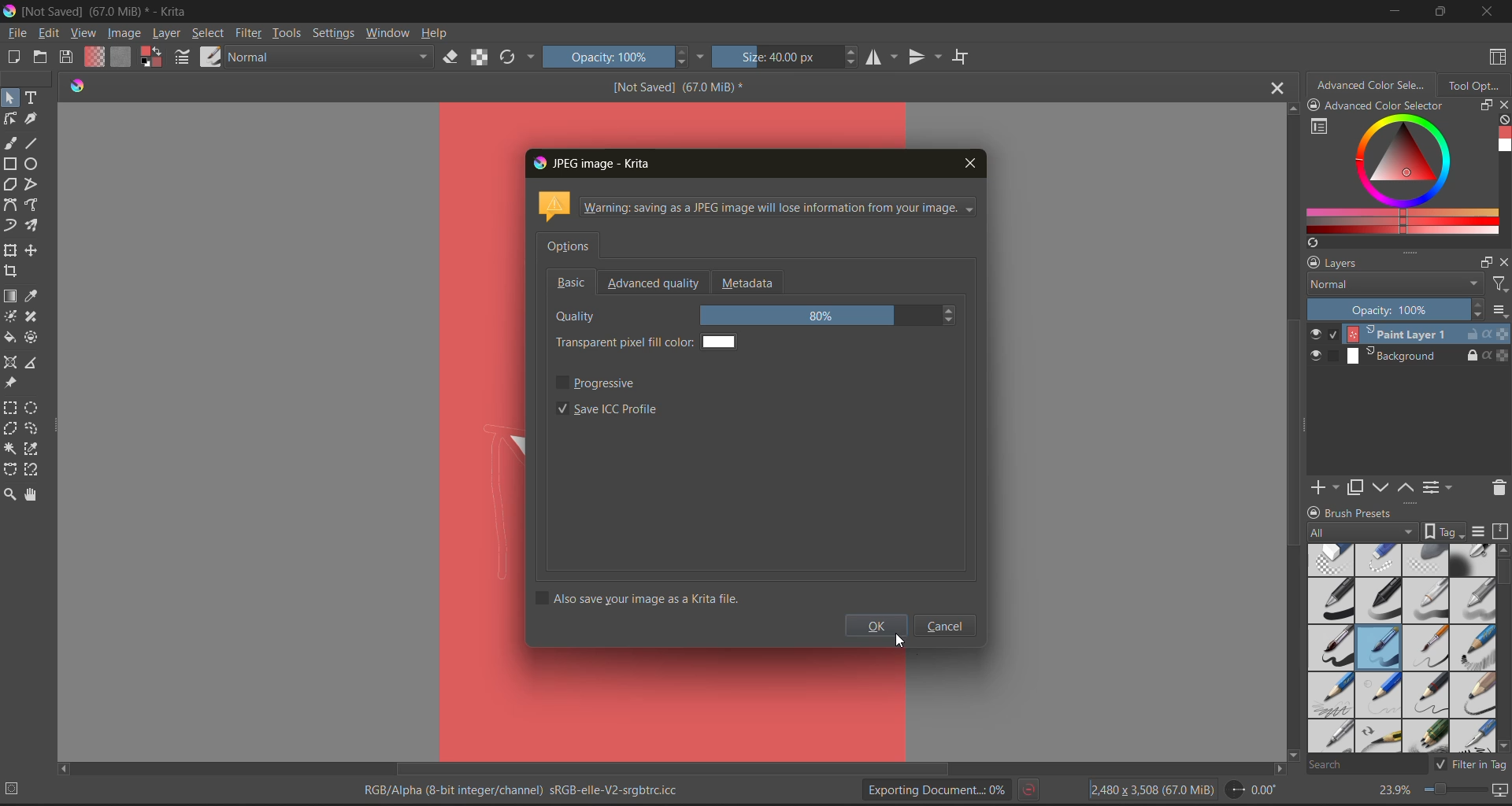 The image size is (1512, 806). Describe the element at coordinates (1476, 88) in the screenshot. I see `tool options` at that location.